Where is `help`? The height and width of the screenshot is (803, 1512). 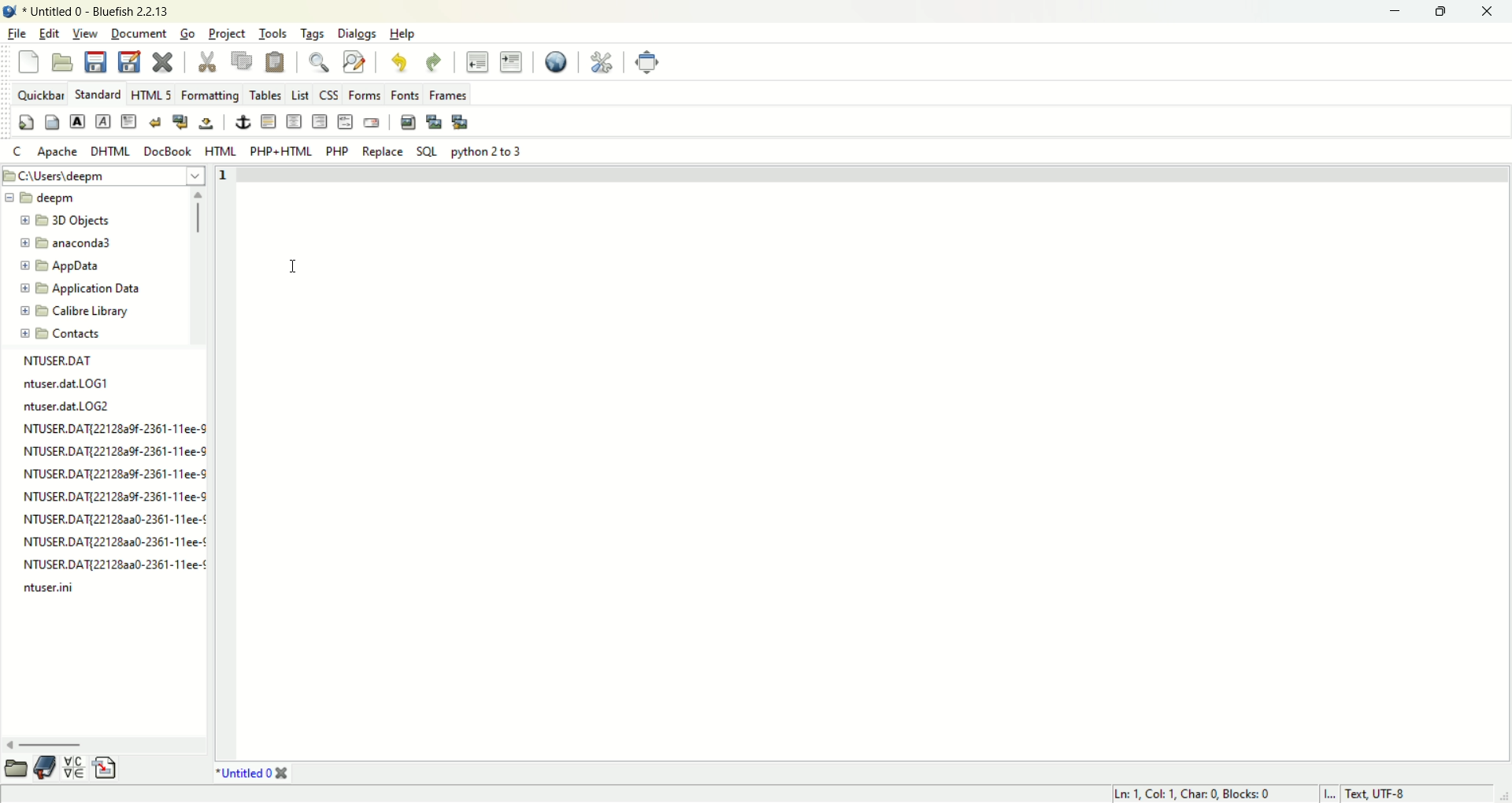 help is located at coordinates (401, 33).